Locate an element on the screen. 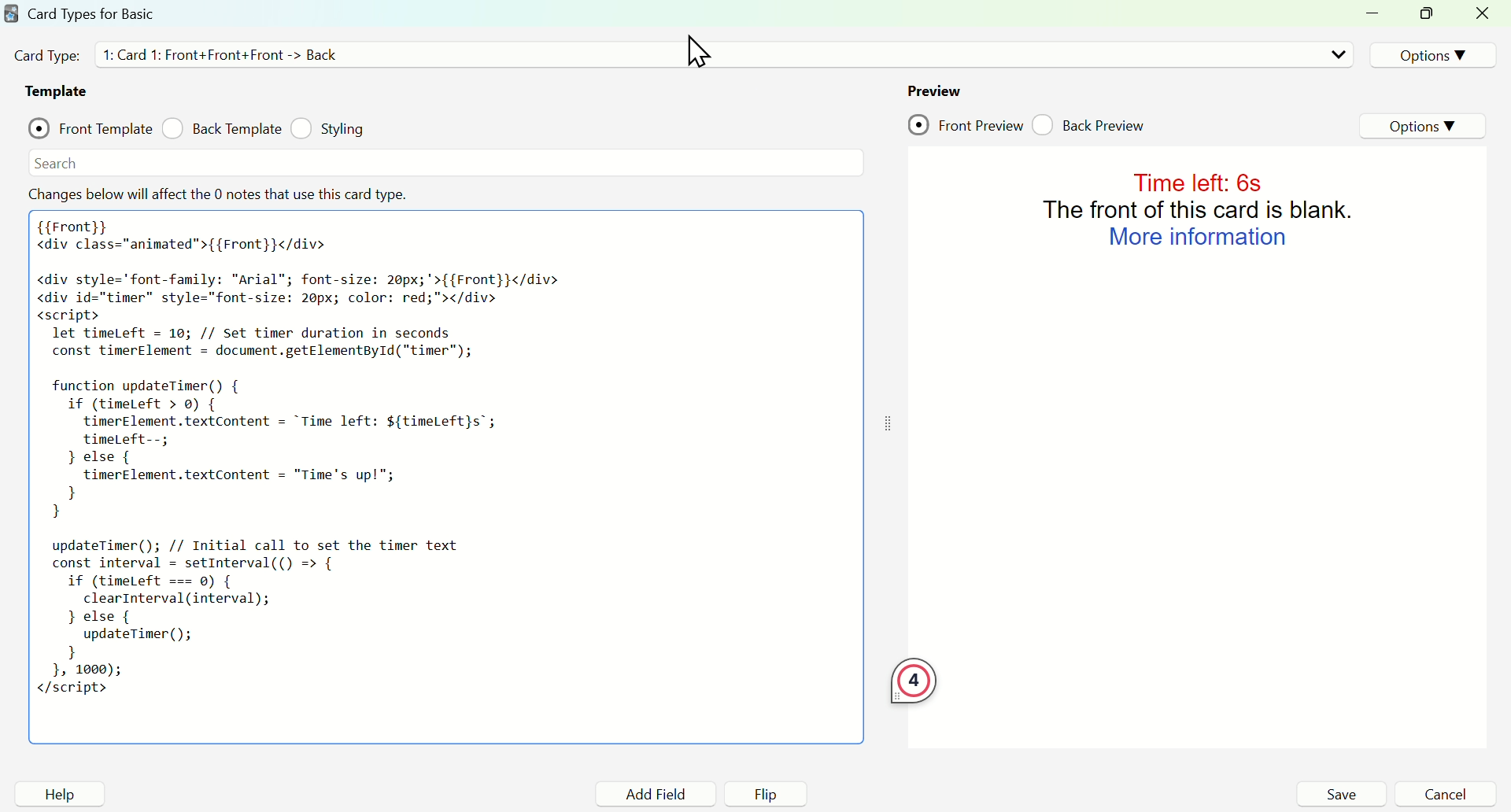  help is located at coordinates (60, 794).